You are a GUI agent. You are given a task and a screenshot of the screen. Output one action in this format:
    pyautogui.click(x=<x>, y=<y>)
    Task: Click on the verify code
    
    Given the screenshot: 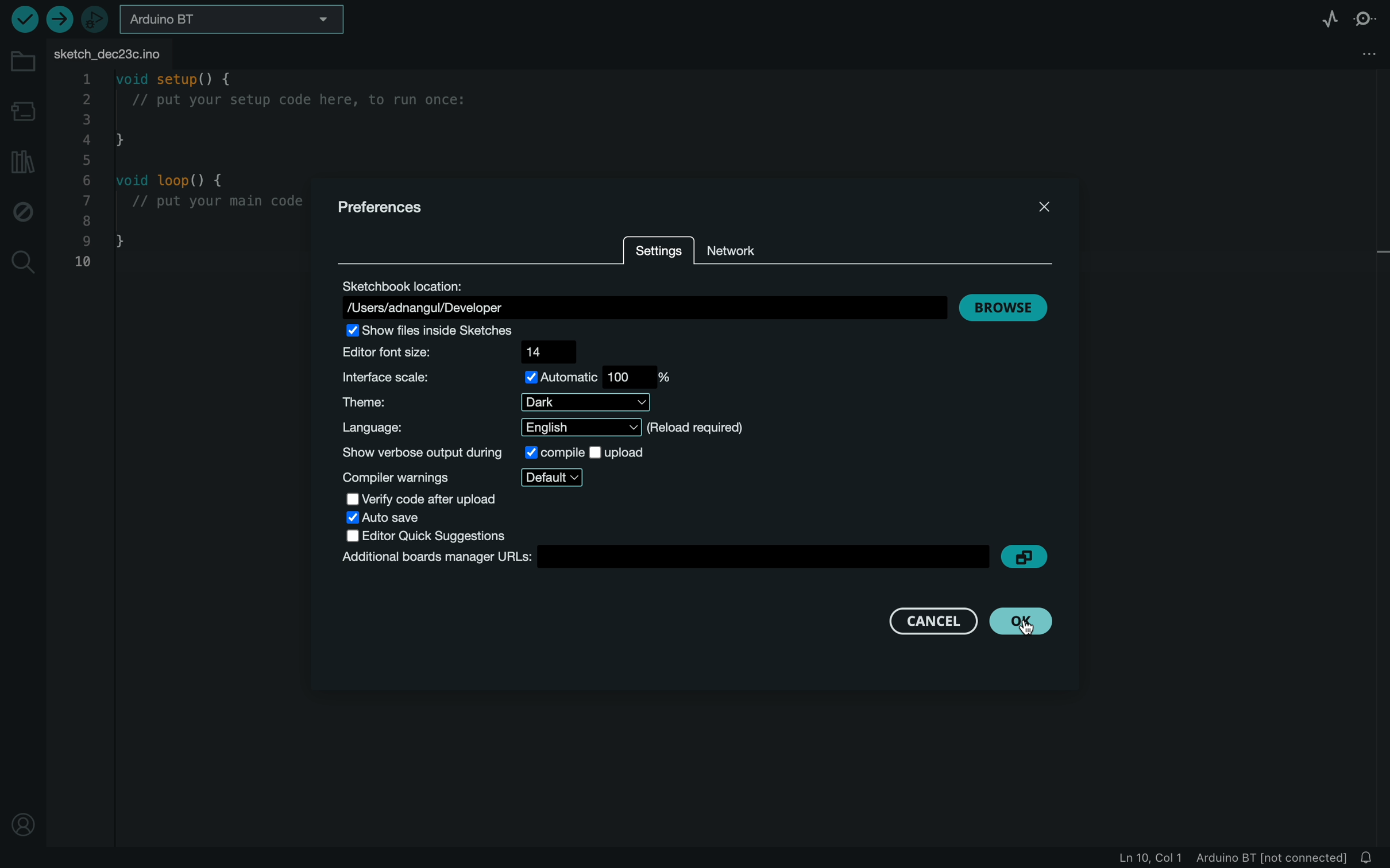 What is the action you would take?
    pyautogui.click(x=418, y=499)
    